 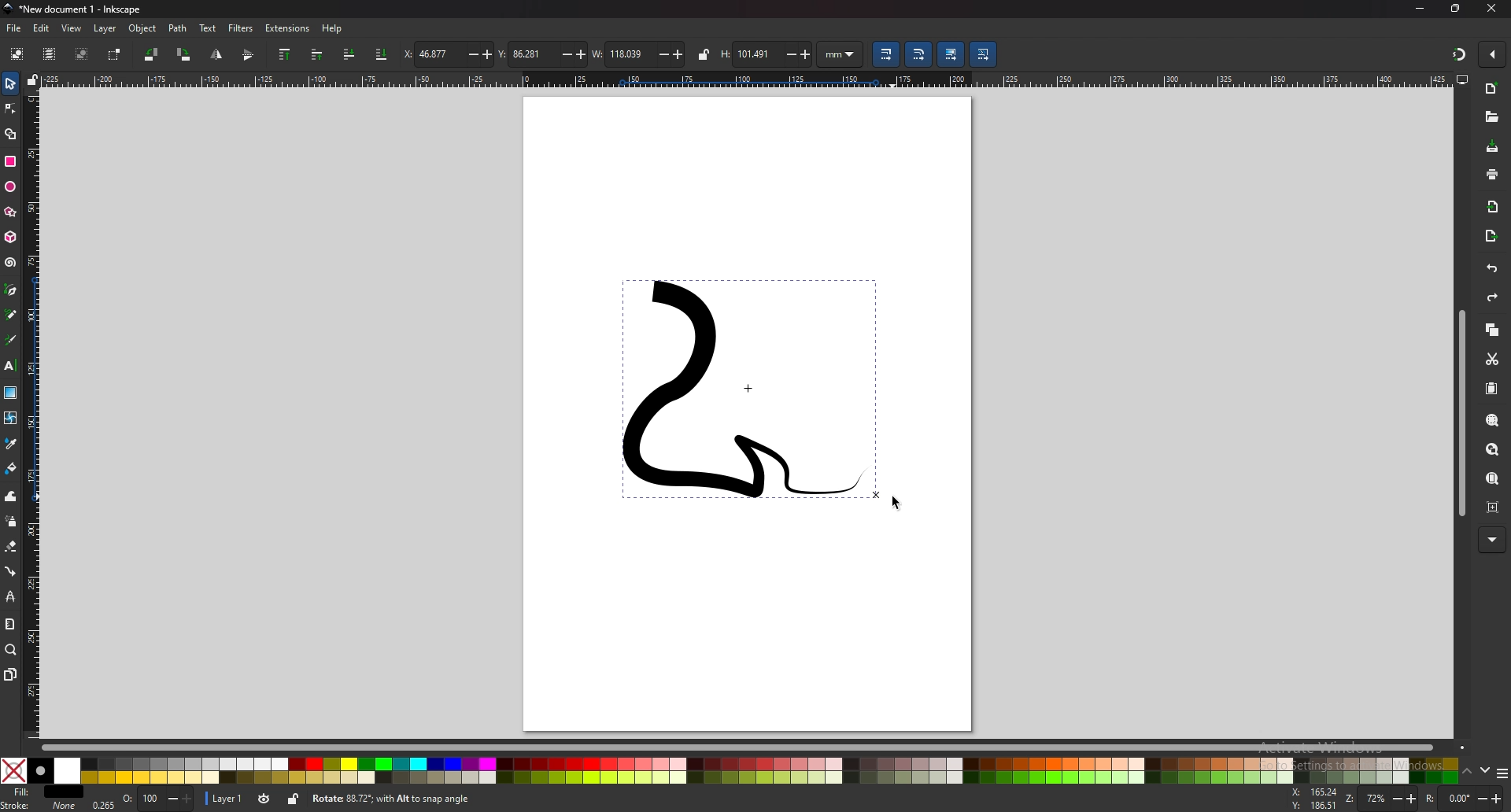 I want to click on height, so click(x=767, y=53).